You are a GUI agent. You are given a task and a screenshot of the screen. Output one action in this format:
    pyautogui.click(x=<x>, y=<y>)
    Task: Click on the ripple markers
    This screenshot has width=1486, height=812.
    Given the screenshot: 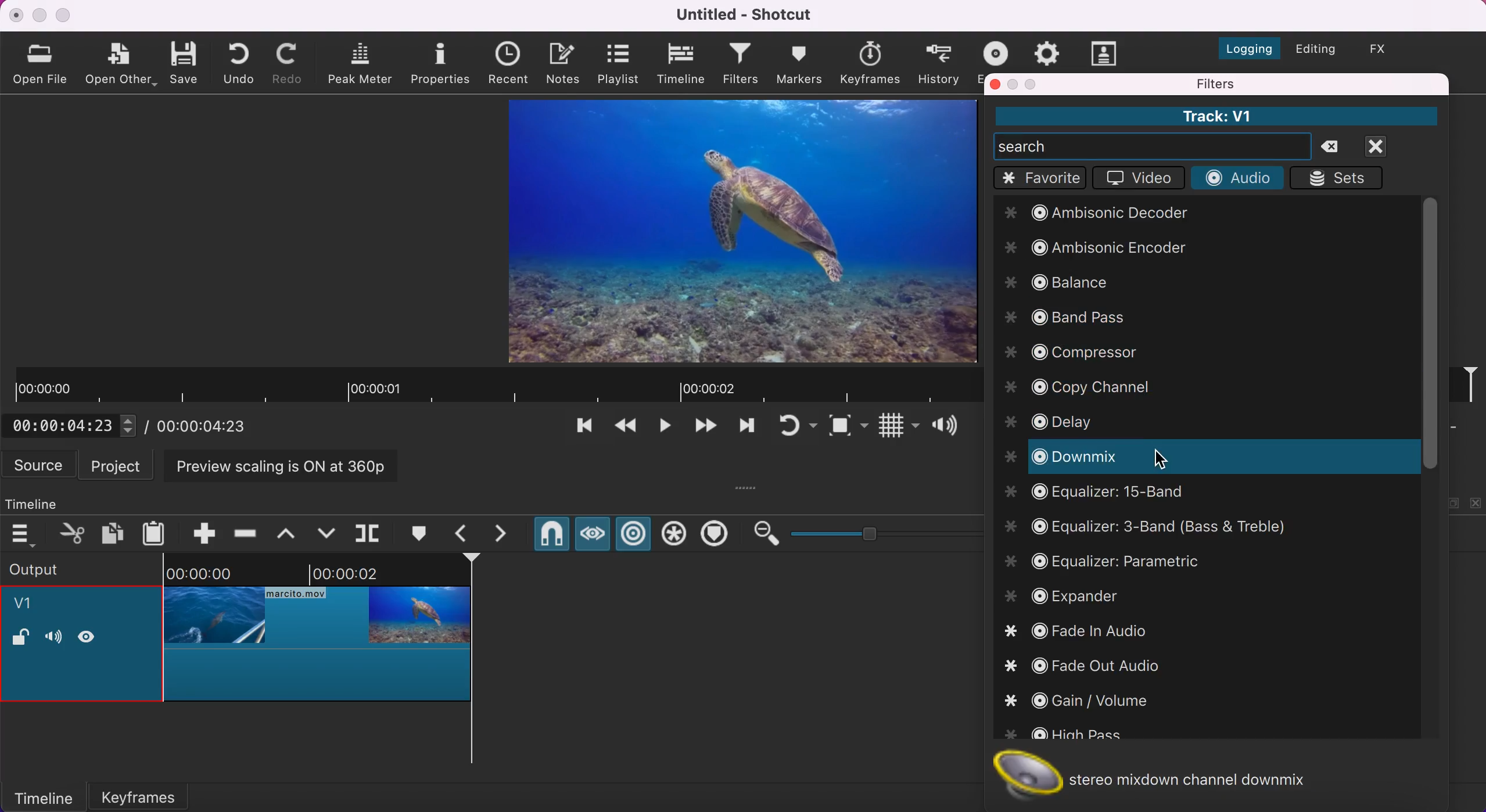 What is the action you would take?
    pyautogui.click(x=717, y=535)
    